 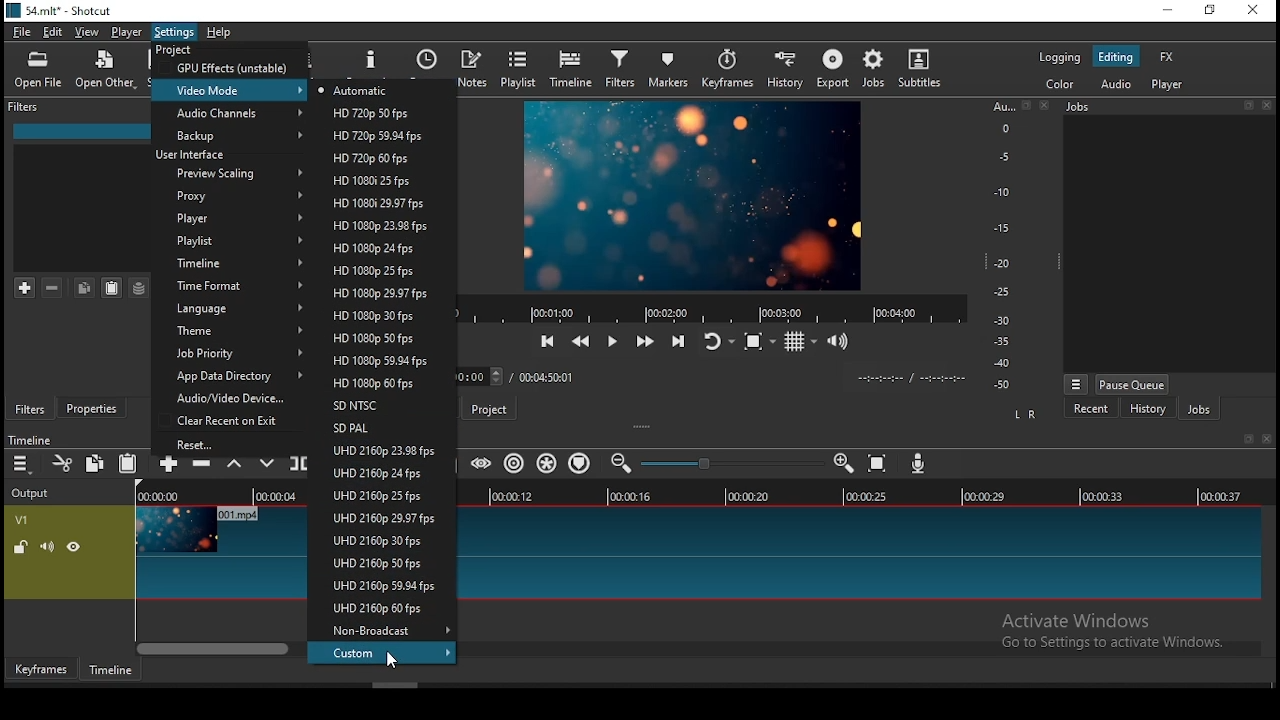 What do you see at coordinates (385, 653) in the screenshot?
I see `custom` at bounding box center [385, 653].